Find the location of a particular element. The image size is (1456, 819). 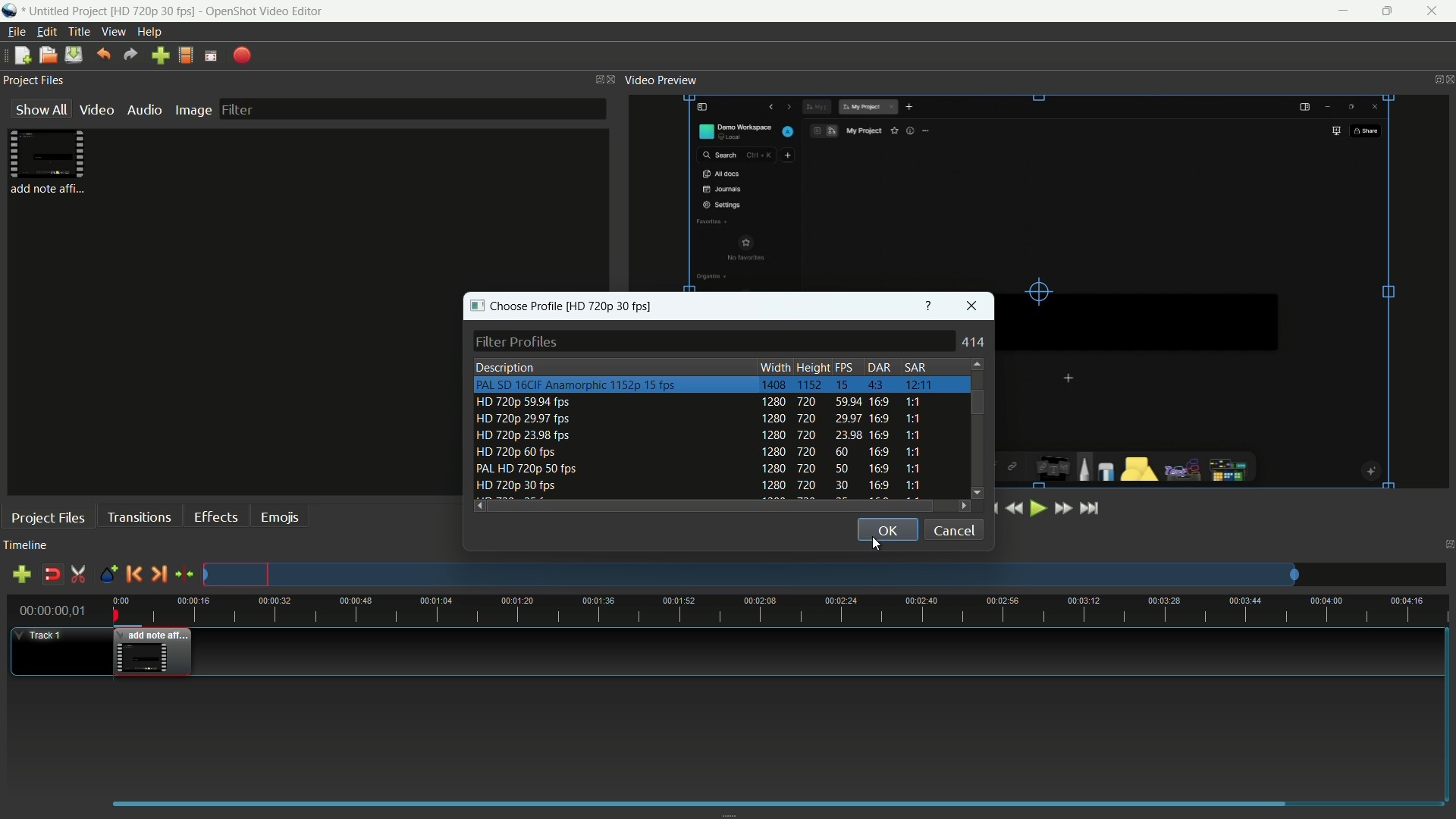

close app is located at coordinates (1437, 11).